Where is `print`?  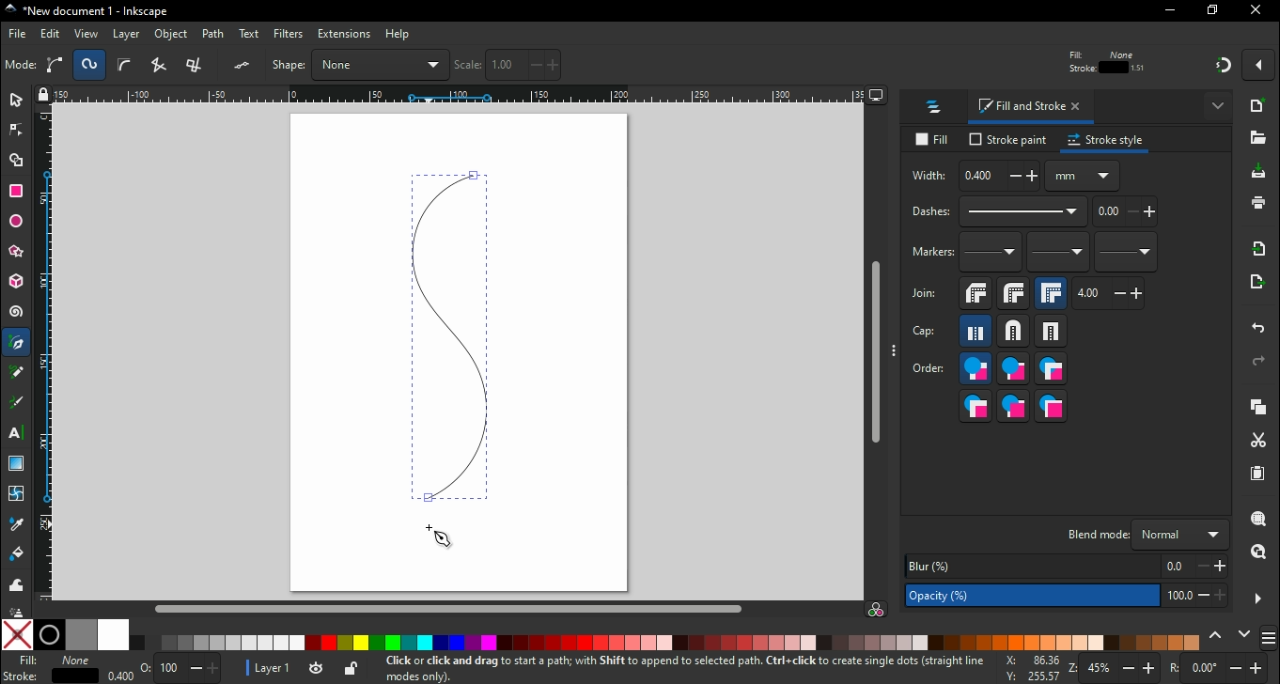 print is located at coordinates (1260, 203).